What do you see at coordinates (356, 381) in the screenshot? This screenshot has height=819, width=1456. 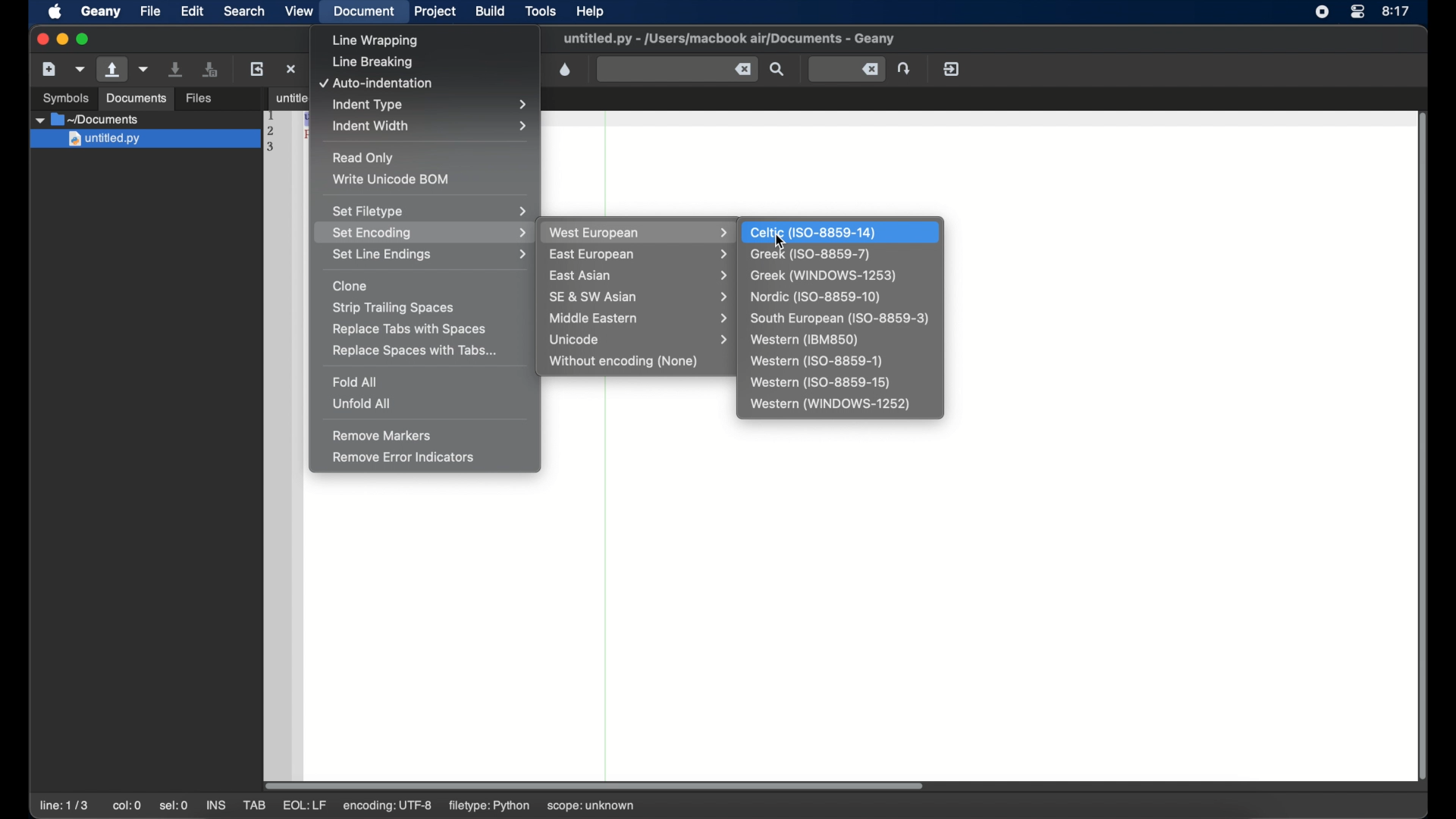 I see `fold all` at bounding box center [356, 381].